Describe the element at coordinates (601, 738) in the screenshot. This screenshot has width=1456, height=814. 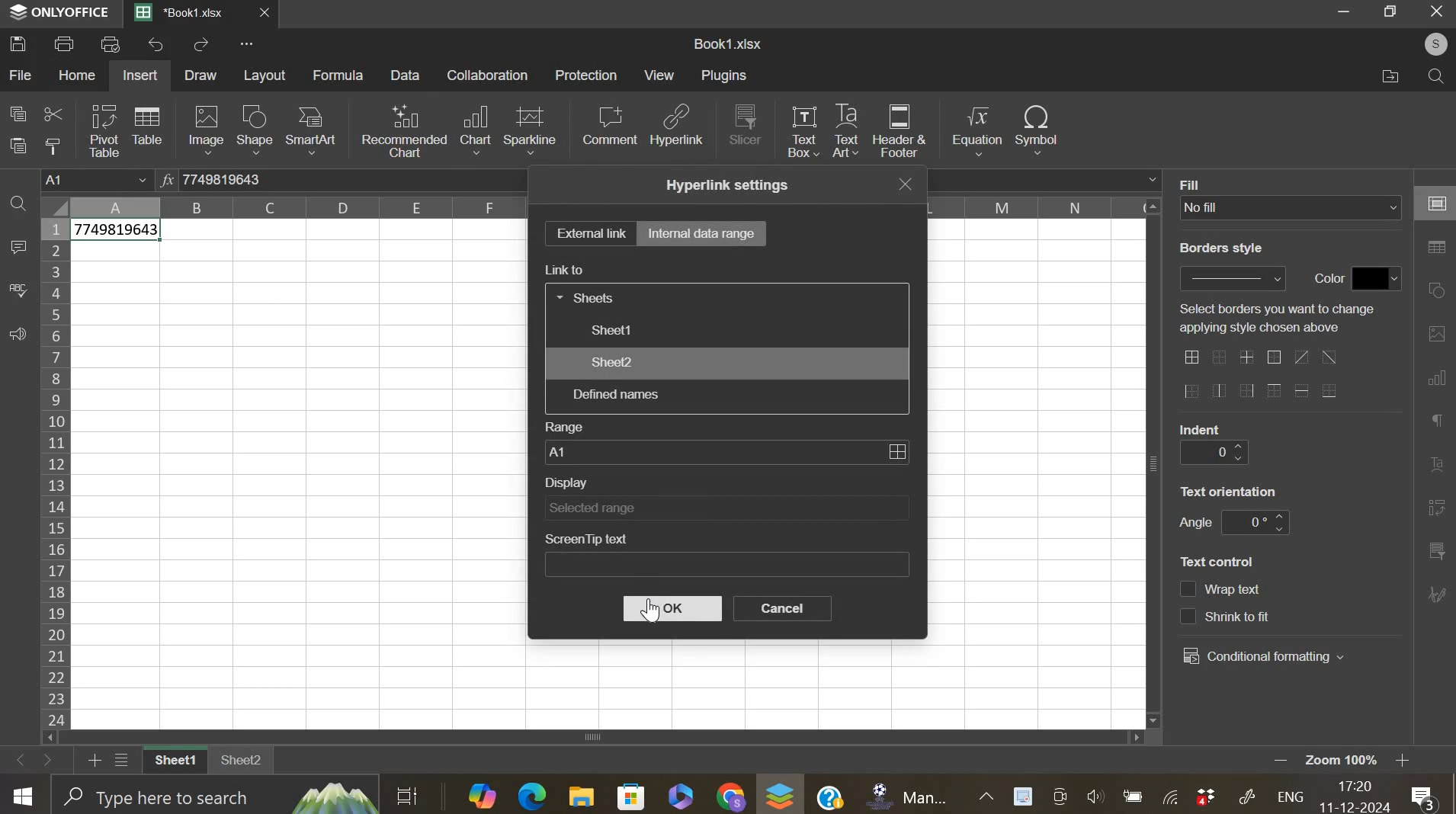
I see `scroll bar` at that location.